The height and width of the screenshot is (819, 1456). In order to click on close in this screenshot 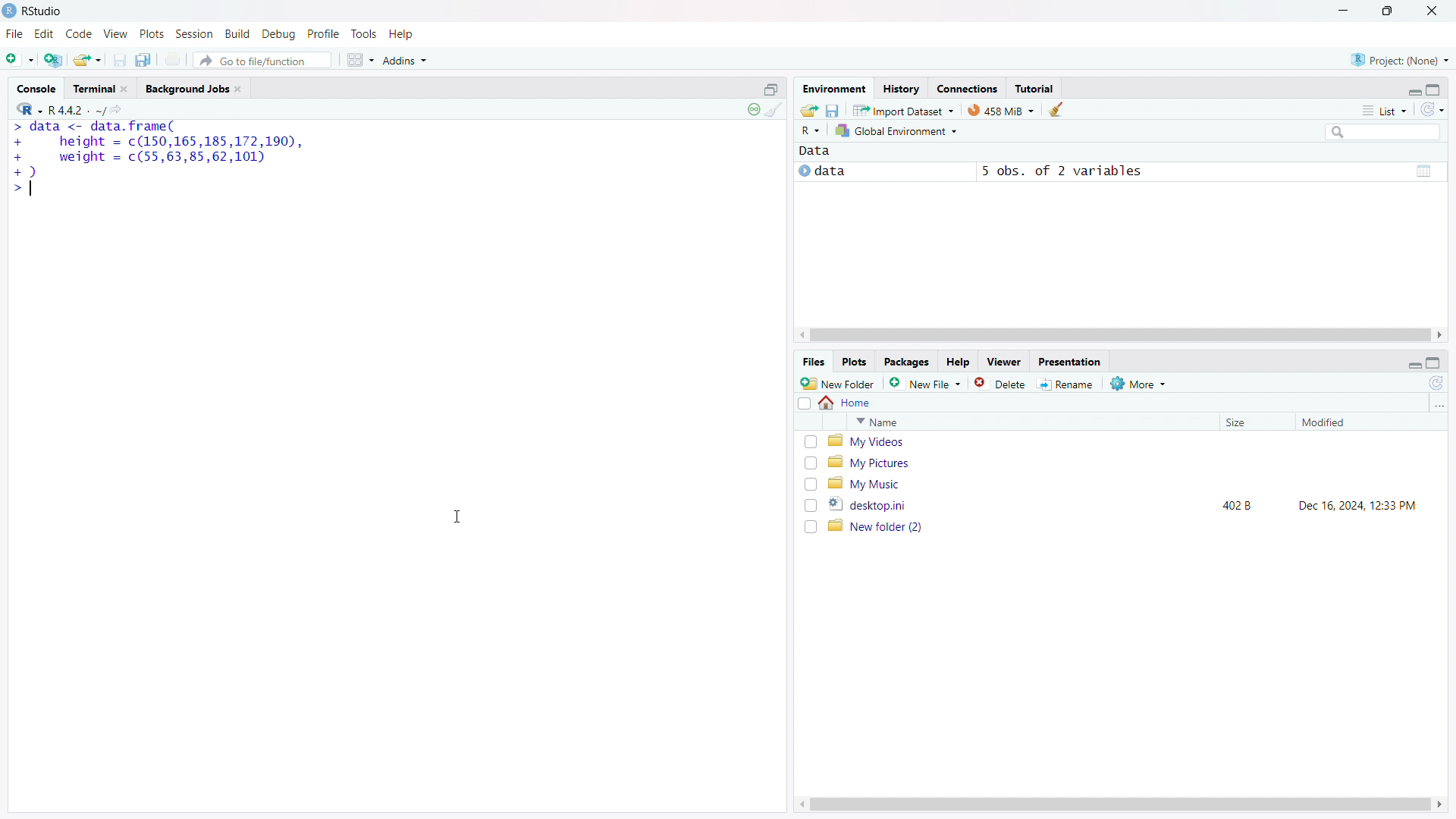, I will do `click(237, 89)`.